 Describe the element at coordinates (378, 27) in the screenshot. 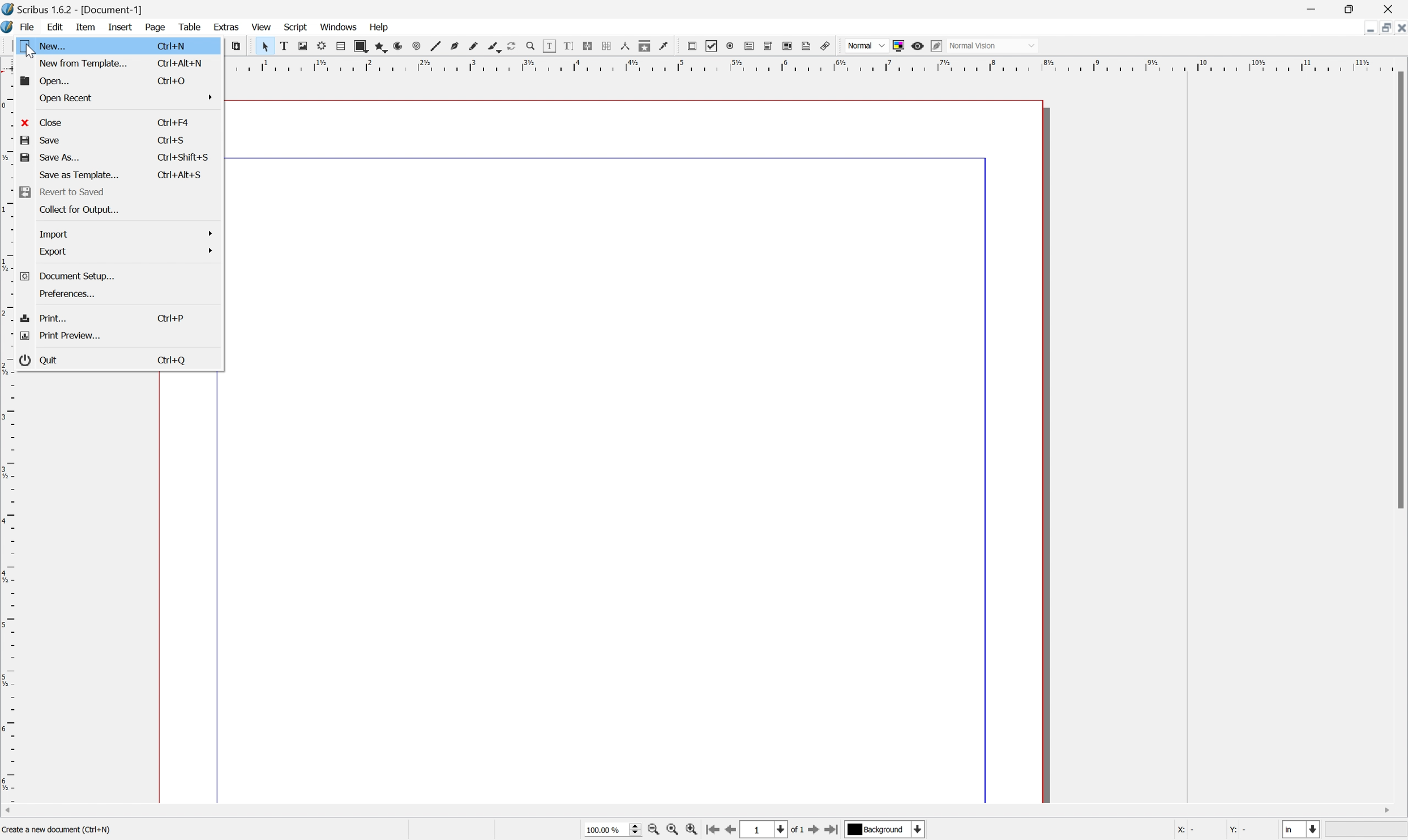

I see `Help` at that location.